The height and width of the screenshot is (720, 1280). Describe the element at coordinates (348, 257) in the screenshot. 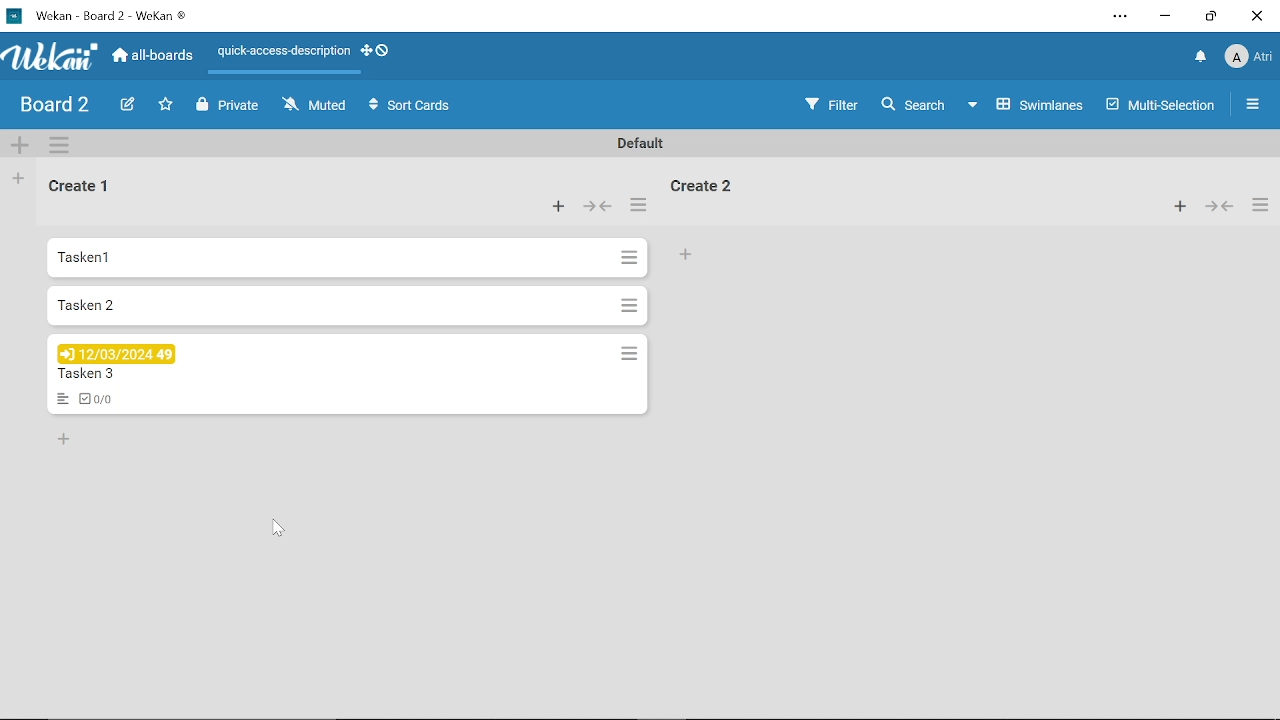

I see `Tasken 1` at that location.